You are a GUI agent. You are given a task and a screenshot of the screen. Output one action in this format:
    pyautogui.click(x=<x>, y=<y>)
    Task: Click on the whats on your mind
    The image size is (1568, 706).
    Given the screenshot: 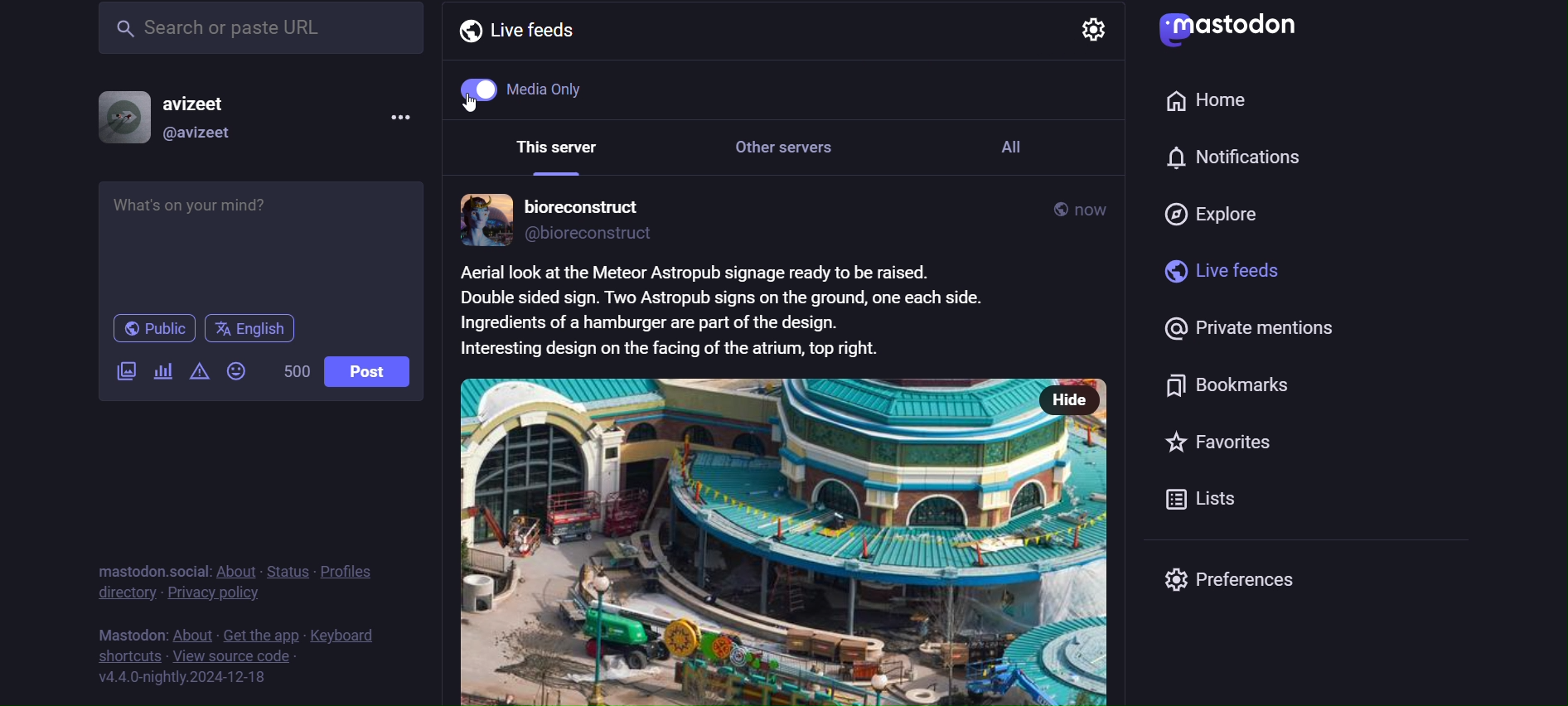 What is the action you would take?
    pyautogui.click(x=263, y=239)
    